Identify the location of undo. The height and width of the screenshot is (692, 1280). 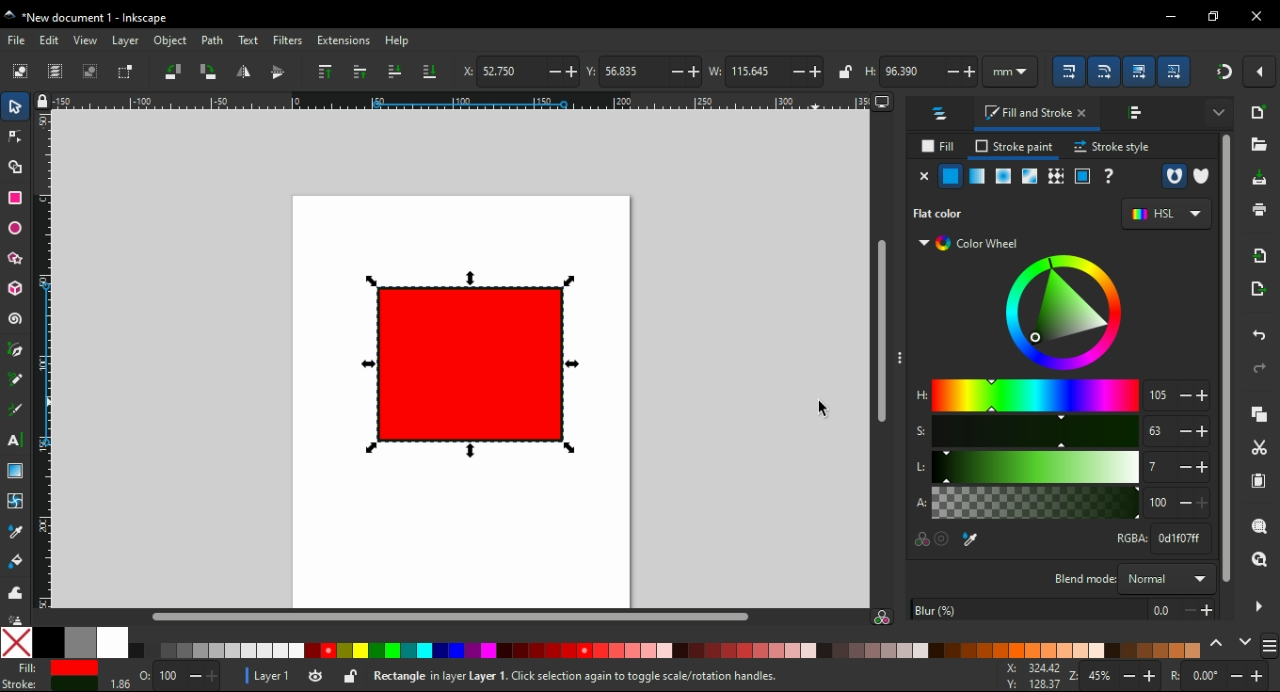
(1260, 335).